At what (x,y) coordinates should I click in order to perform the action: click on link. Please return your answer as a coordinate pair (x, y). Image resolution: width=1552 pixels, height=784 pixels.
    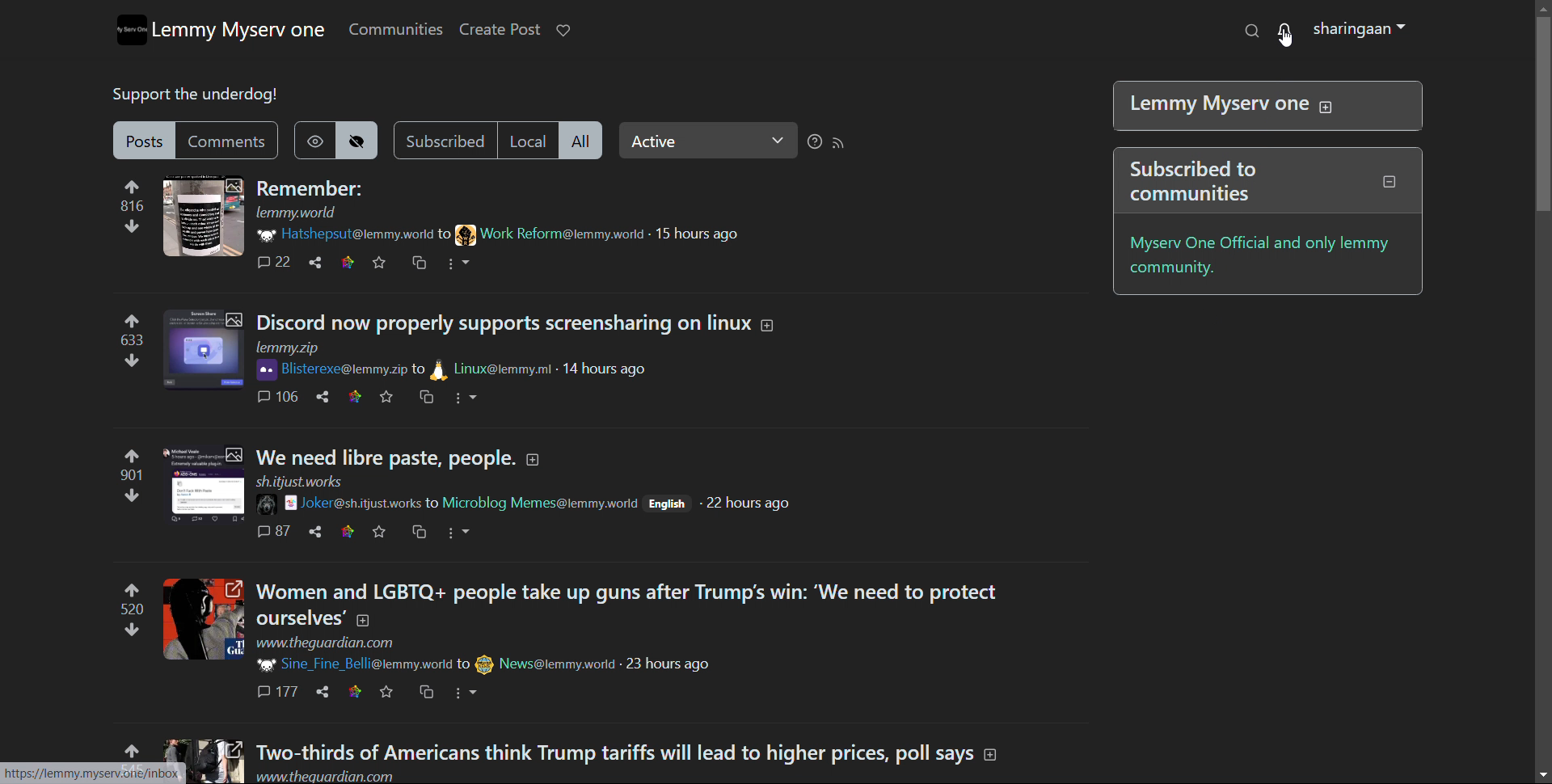
    Looking at the image, I should click on (347, 532).